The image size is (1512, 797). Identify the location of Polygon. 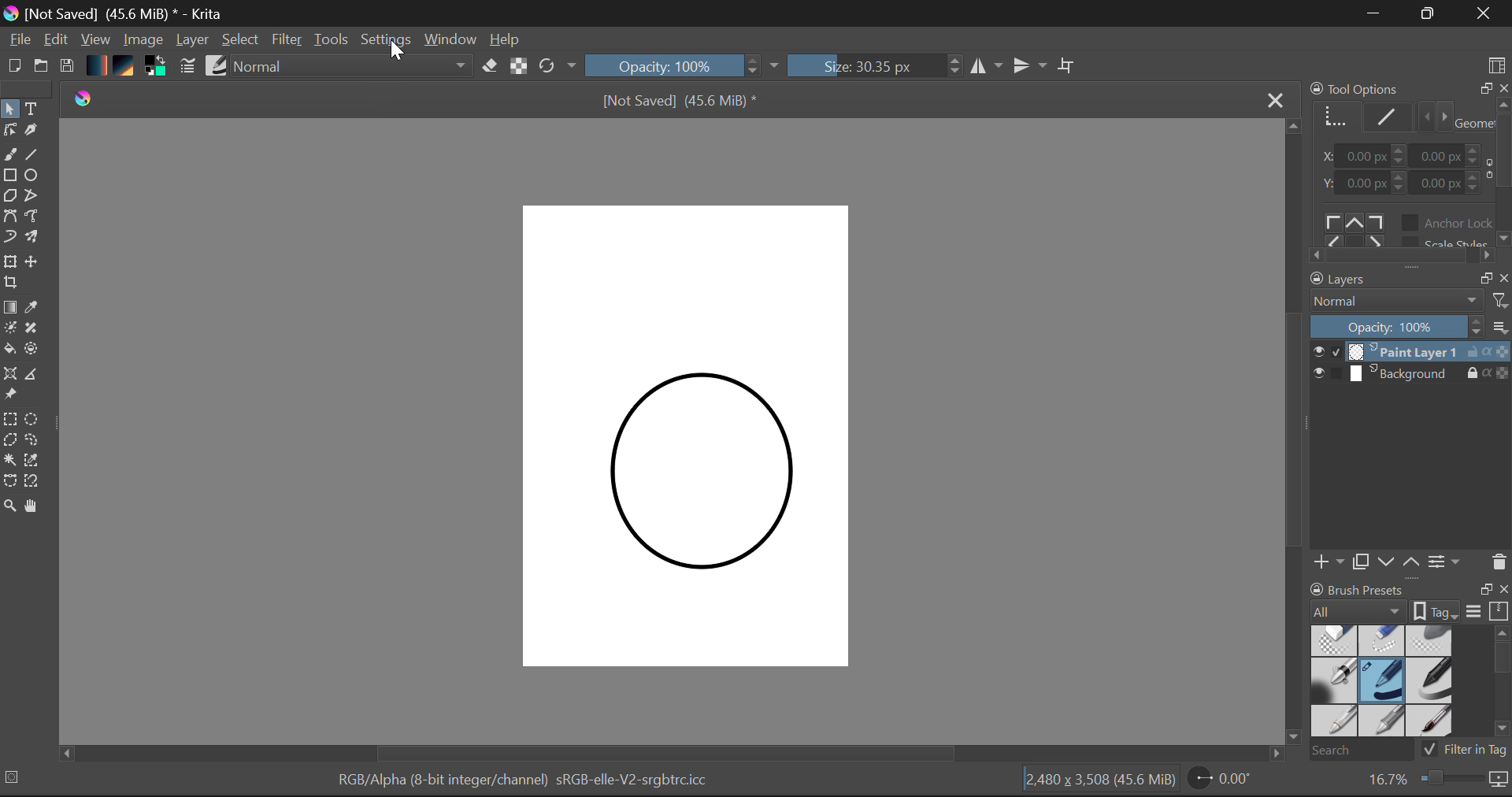
(9, 197).